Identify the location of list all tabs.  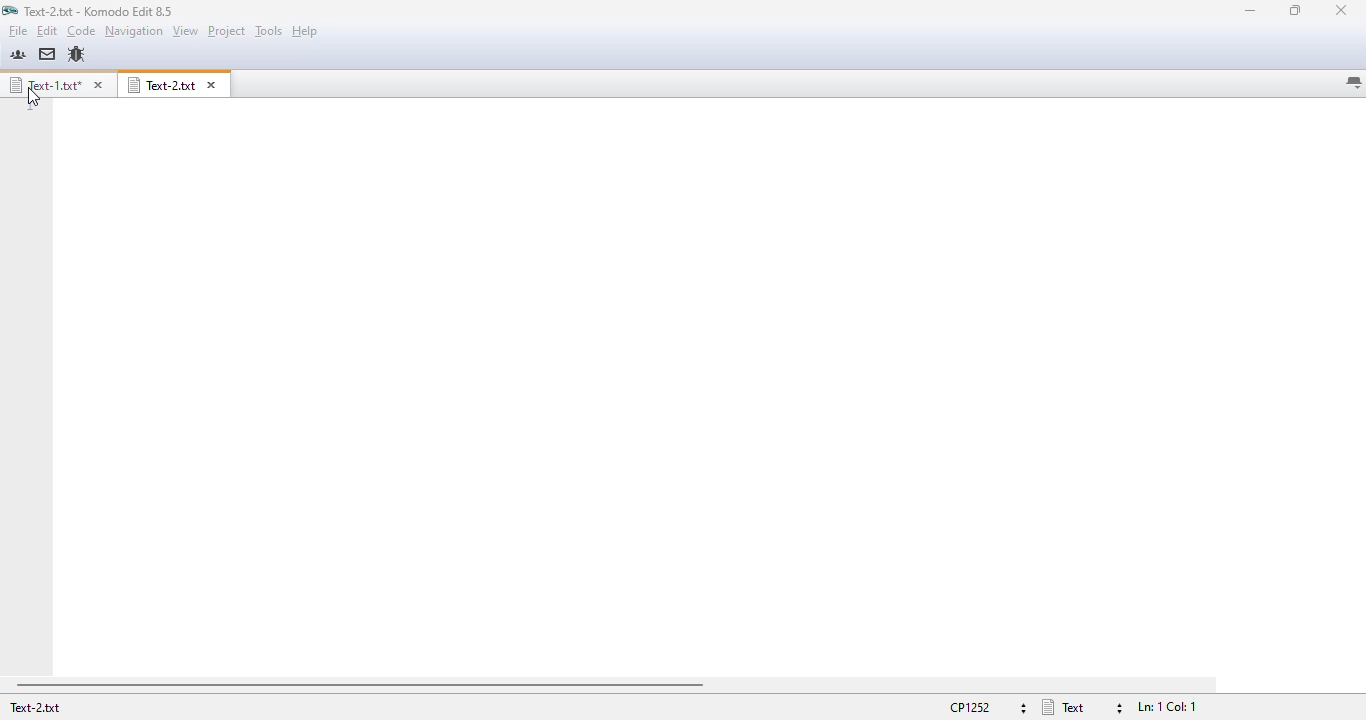
(1353, 83).